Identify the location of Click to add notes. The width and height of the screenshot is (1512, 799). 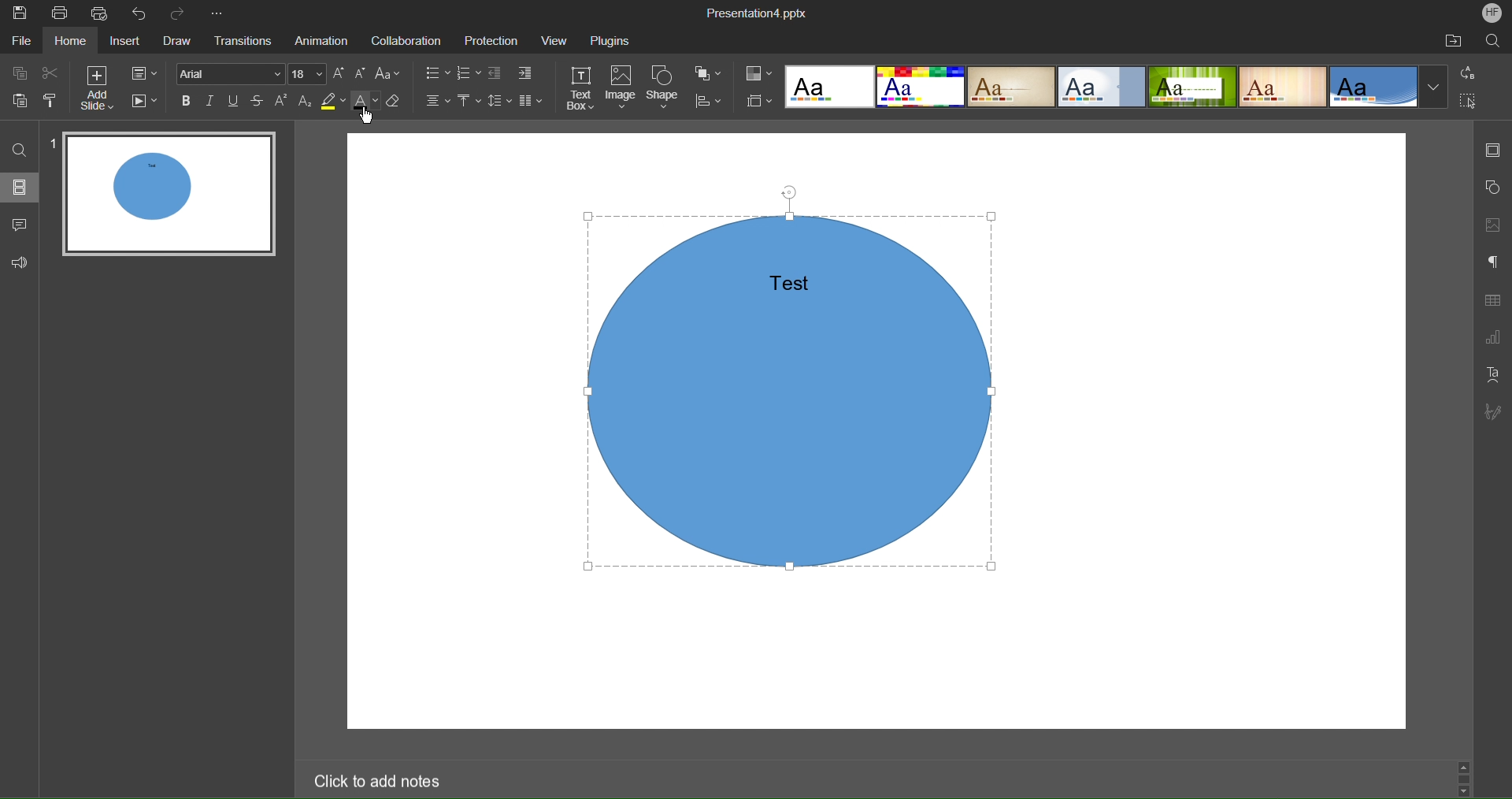
(377, 780).